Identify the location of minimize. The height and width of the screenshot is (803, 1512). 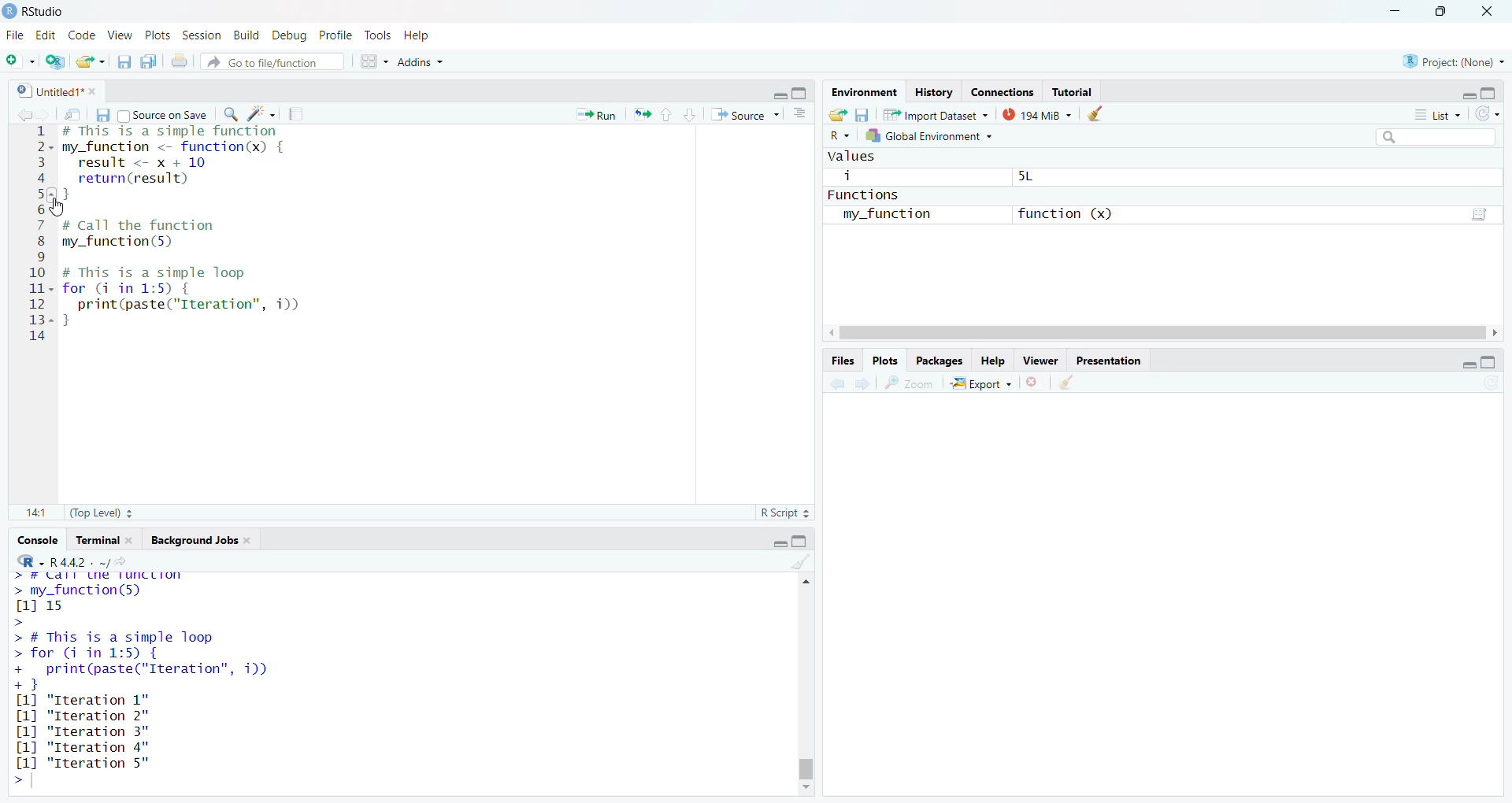
(1394, 9).